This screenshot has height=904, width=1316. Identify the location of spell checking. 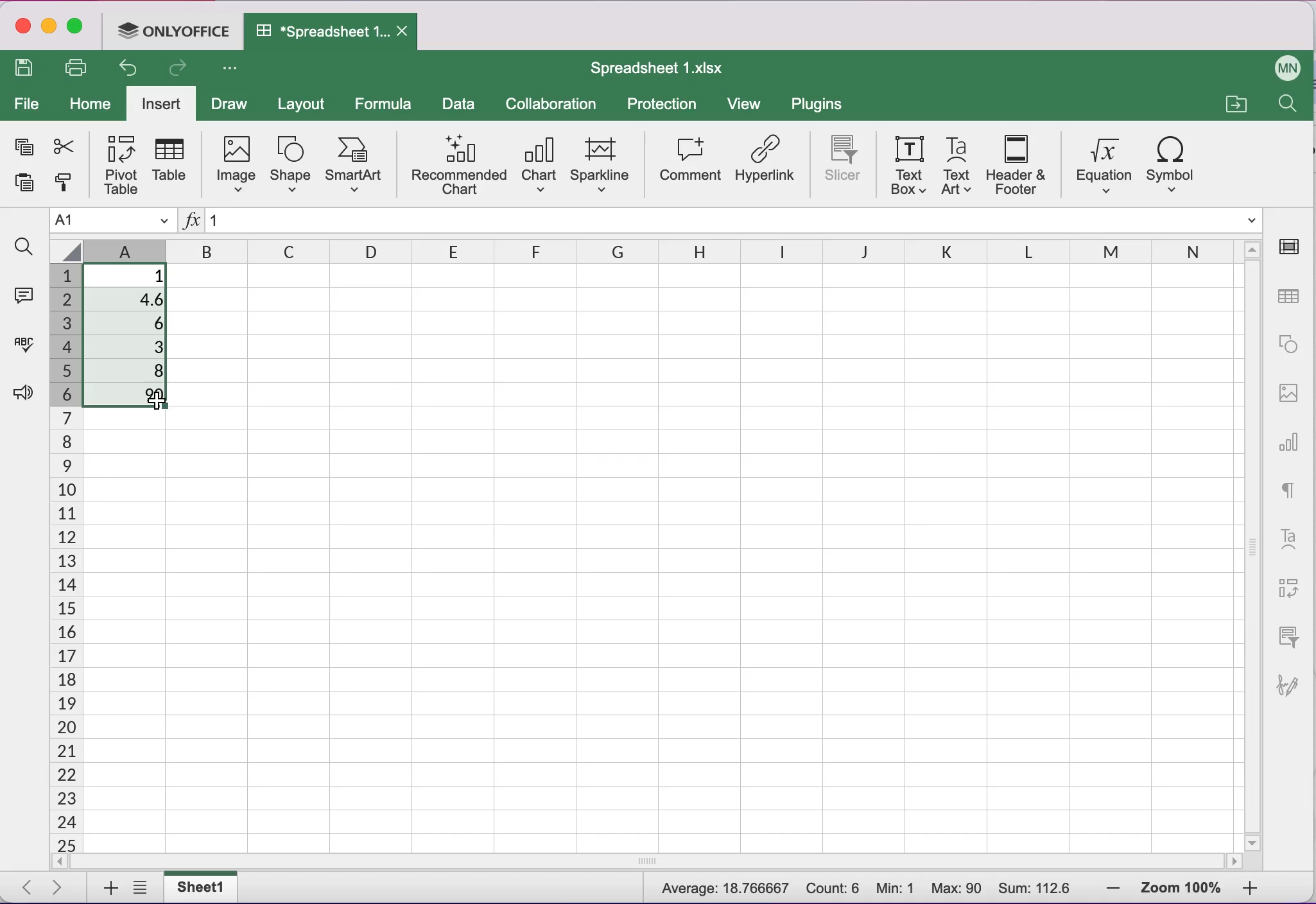
(22, 345).